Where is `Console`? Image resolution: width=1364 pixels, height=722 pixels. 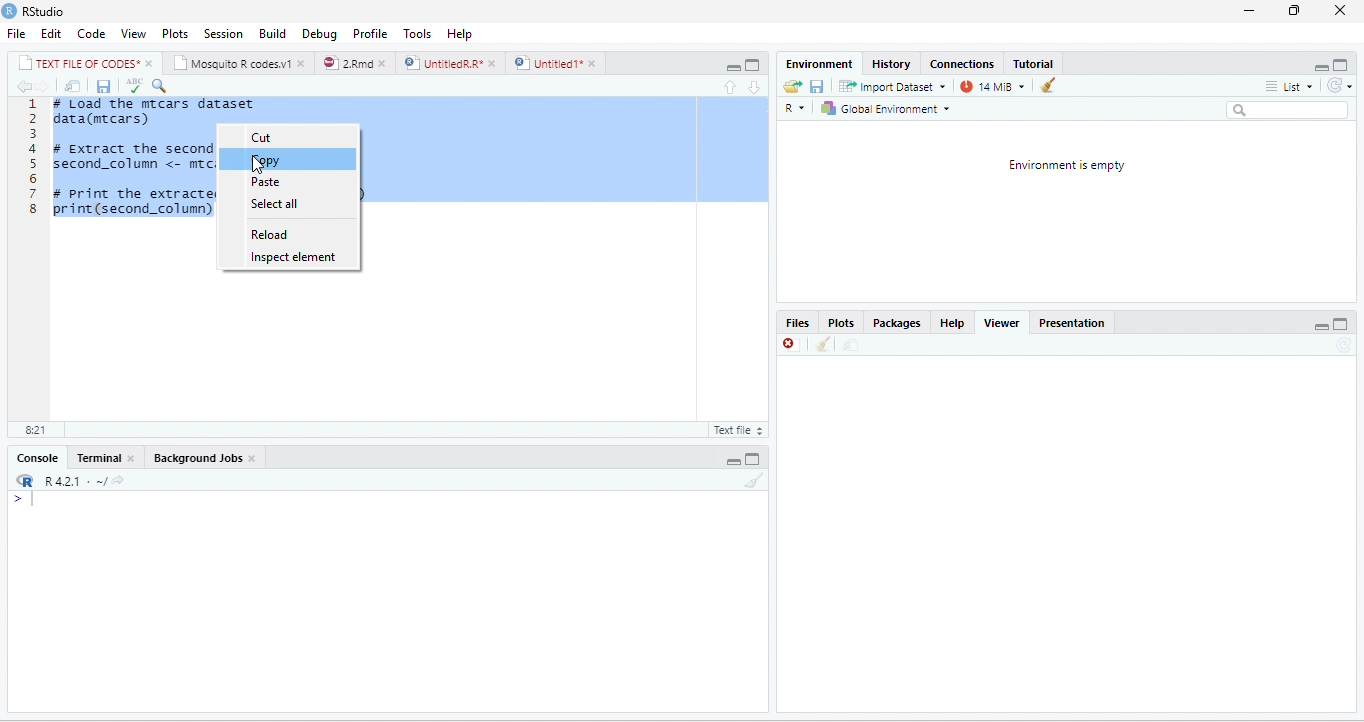 Console is located at coordinates (34, 458).